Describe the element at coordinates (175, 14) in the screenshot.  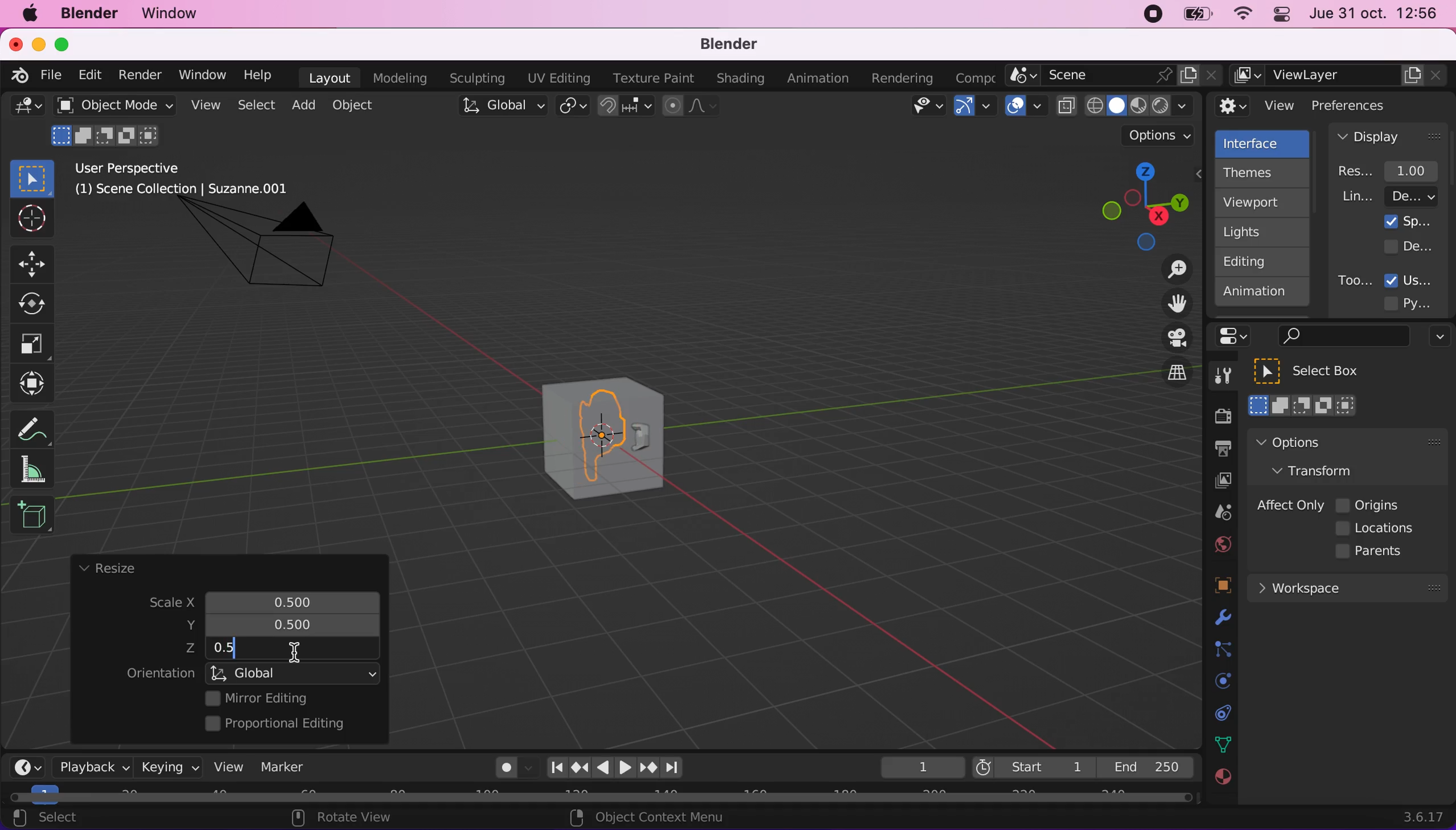
I see `window` at that location.